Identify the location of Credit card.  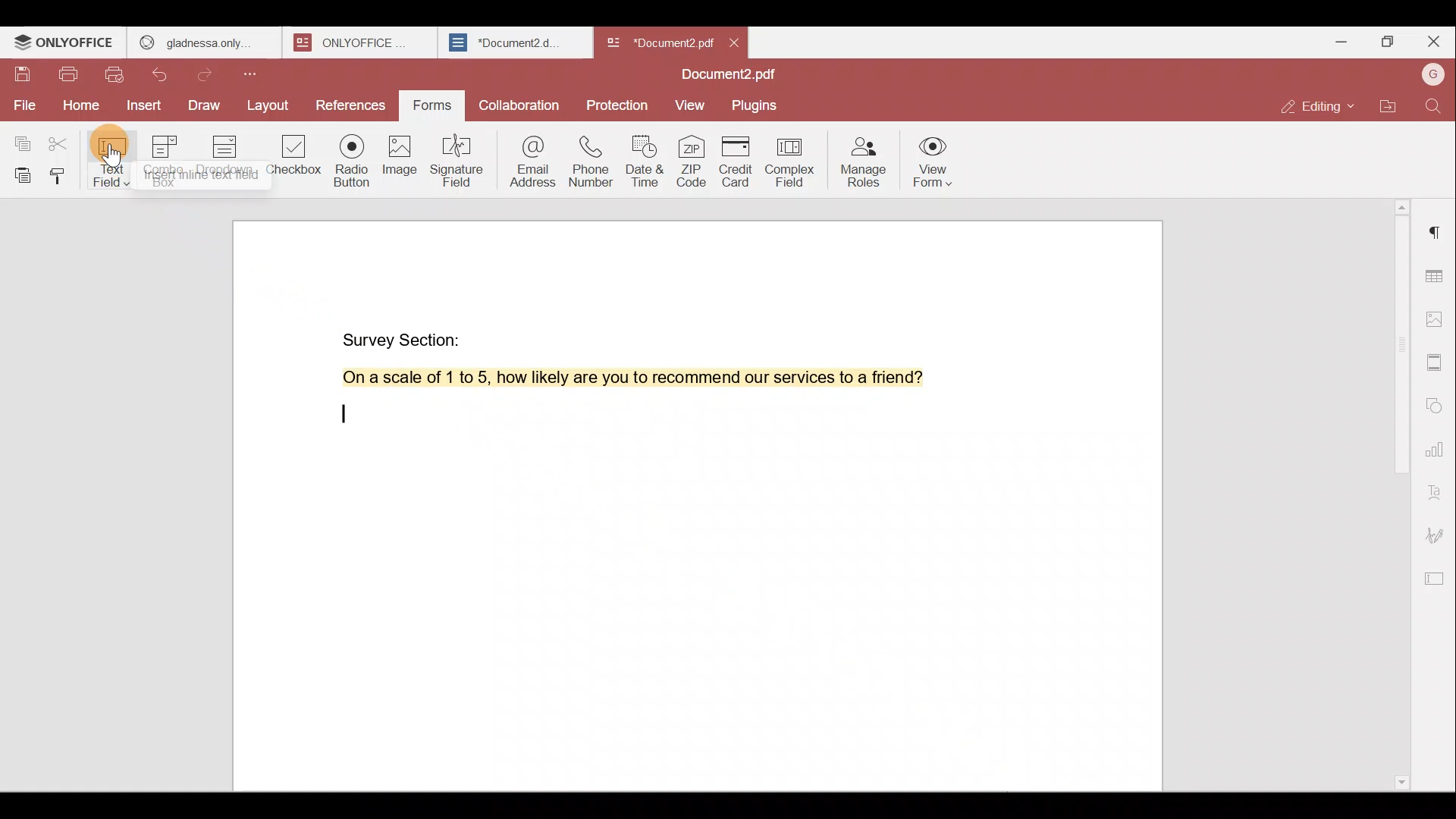
(740, 162).